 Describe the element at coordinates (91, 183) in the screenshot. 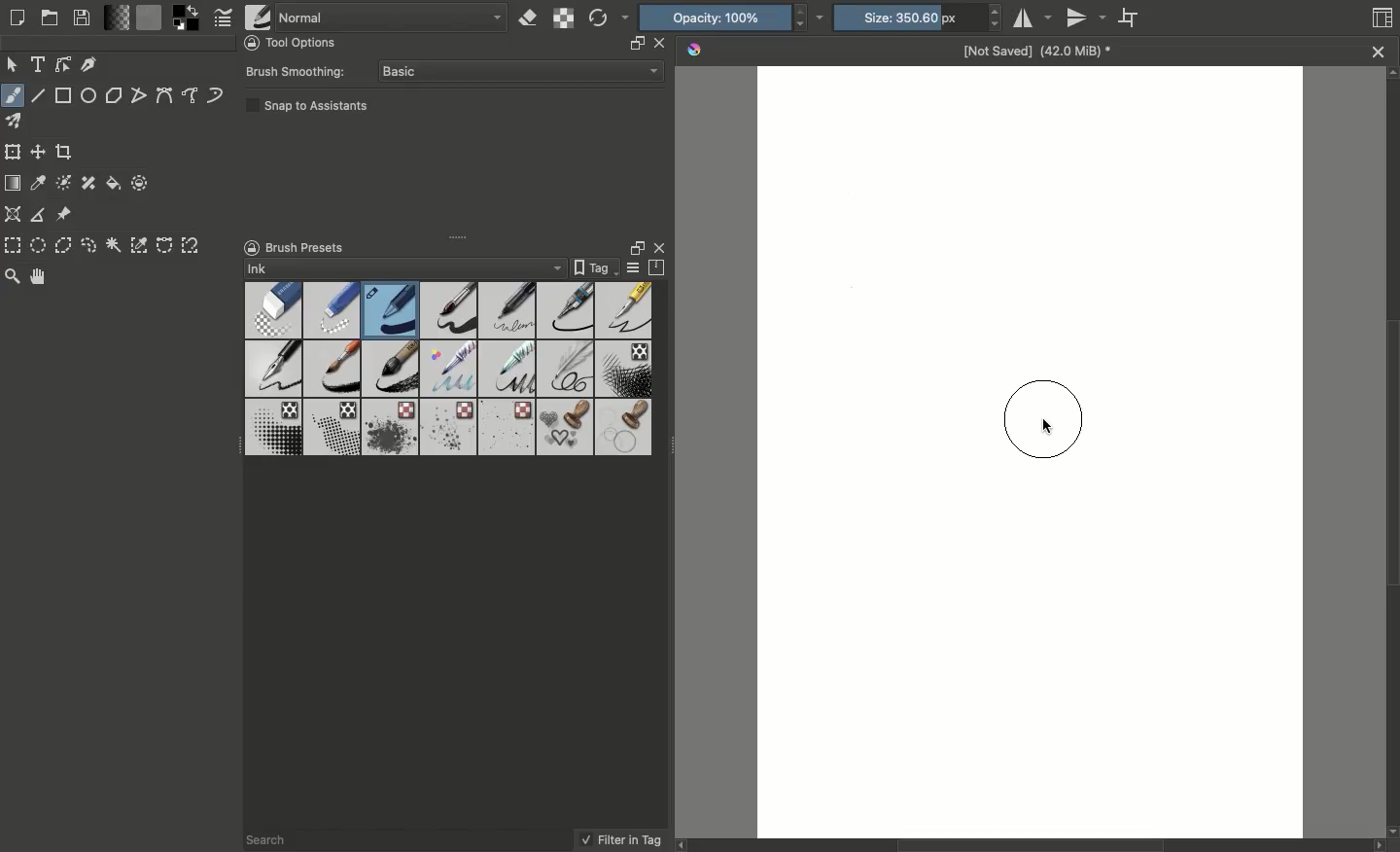

I see `Smart patch` at that location.